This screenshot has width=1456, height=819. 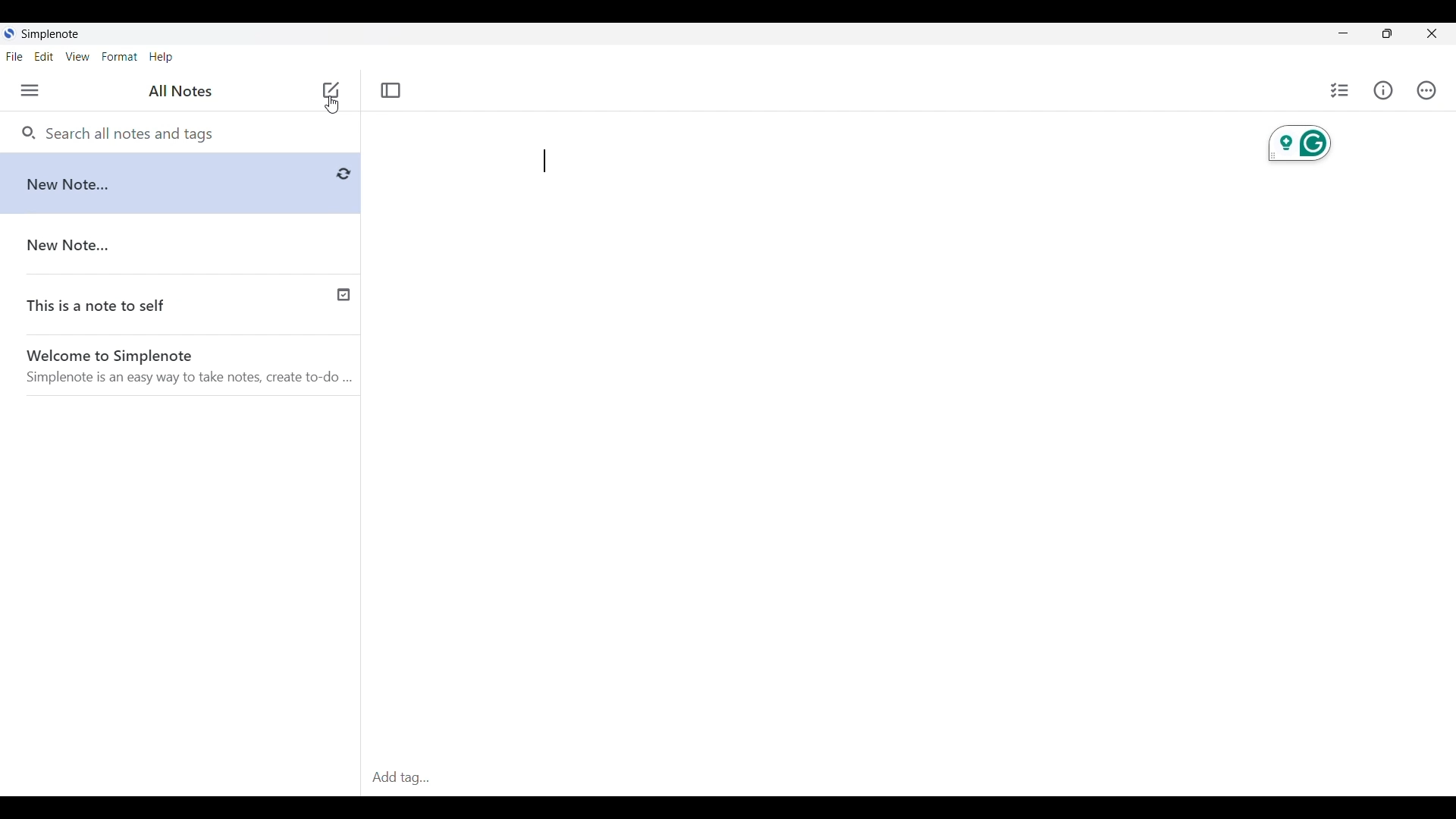 What do you see at coordinates (191, 369) in the screenshot?
I see `Welcome to Simplenote(Welcome note by software)` at bounding box center [191, 369].